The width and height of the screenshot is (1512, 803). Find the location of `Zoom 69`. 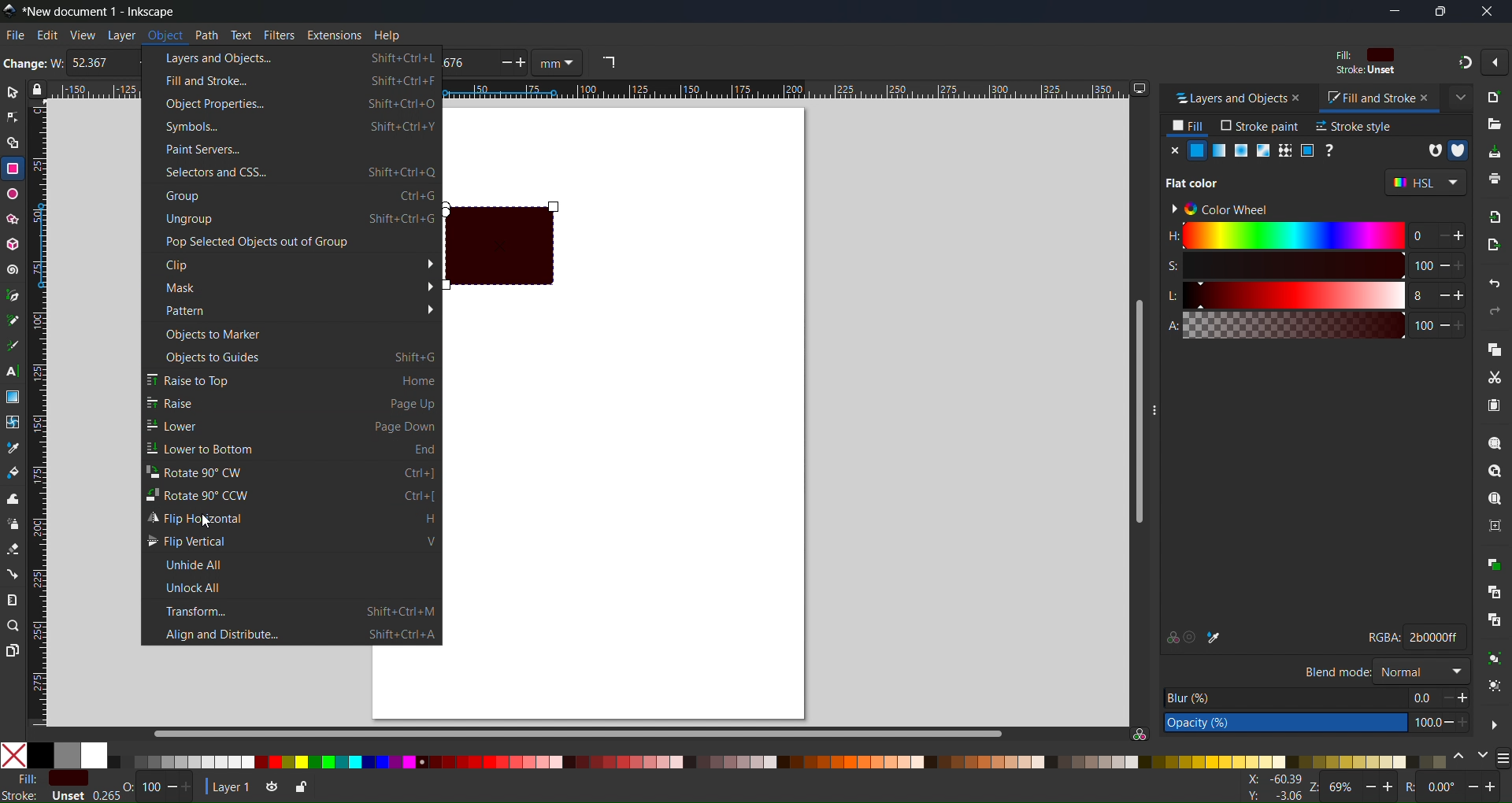

Zoom 69 is located at coordinates (1342, 789).